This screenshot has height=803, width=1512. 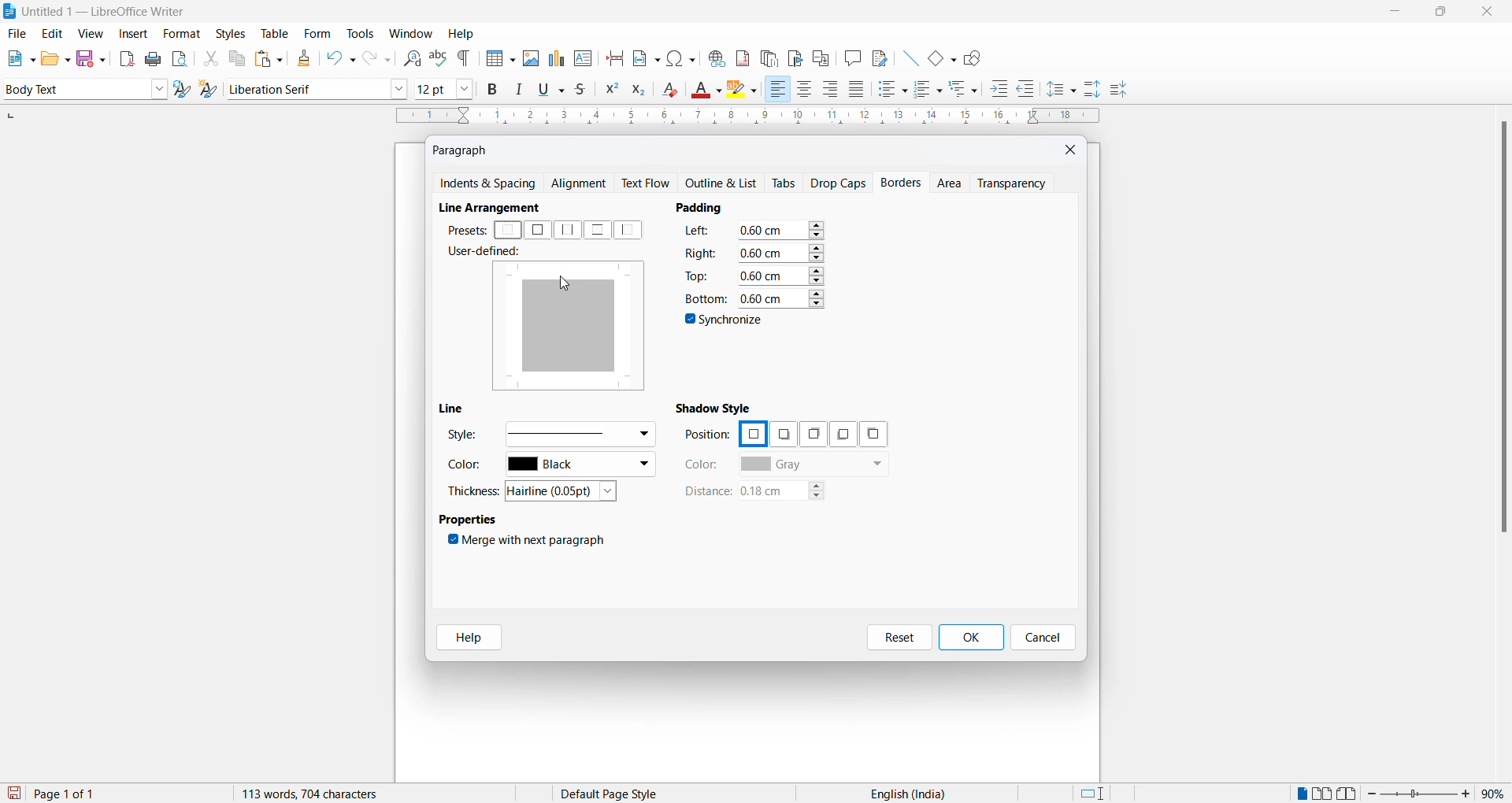 I want to click on increase paragraph, so click(x=1093, y=90).